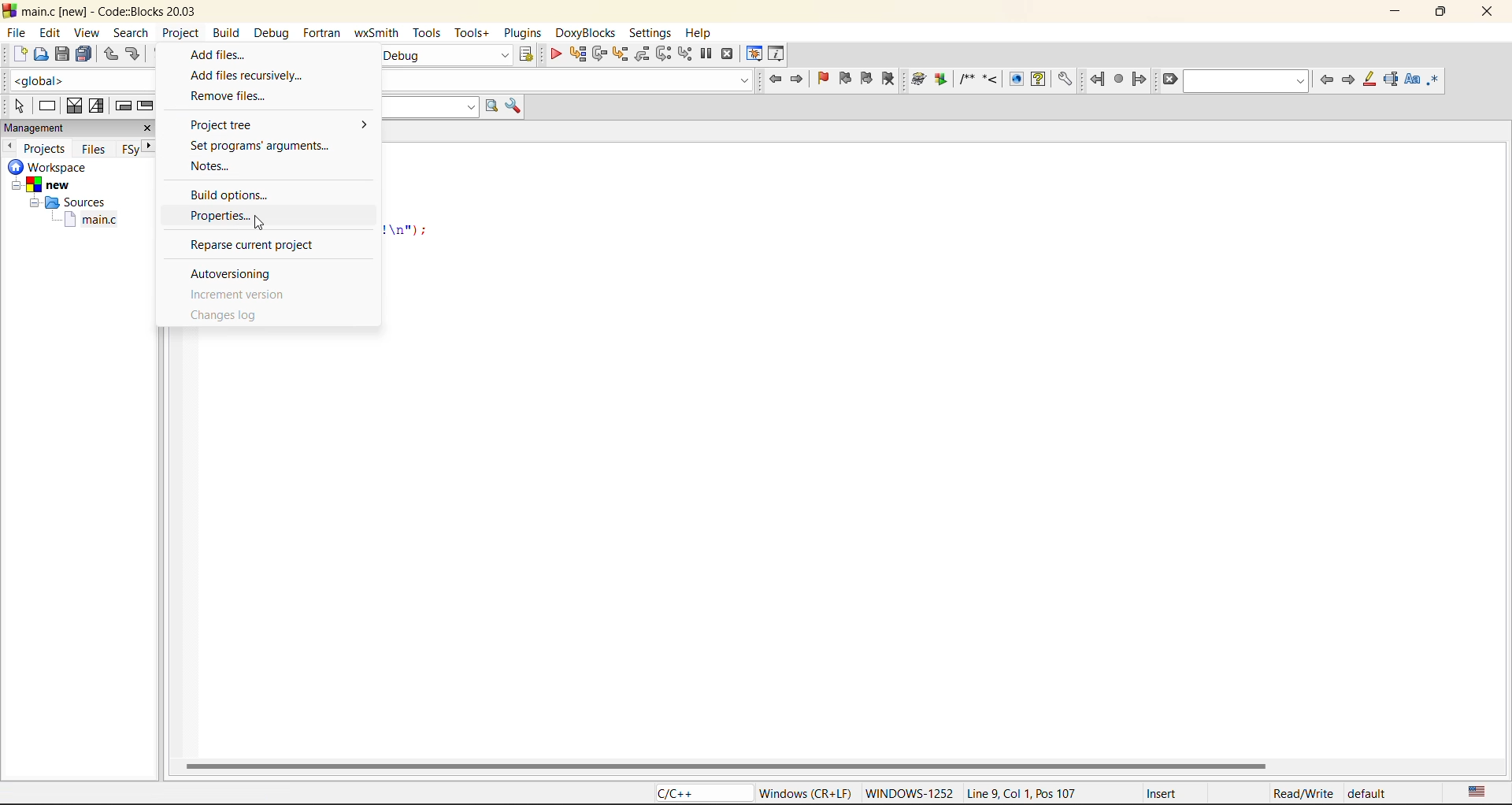 This screenshot has height=805, width=1512. Describe the element at coordinates (802, 81) in the screenshot. I see `jump forward` at that location.